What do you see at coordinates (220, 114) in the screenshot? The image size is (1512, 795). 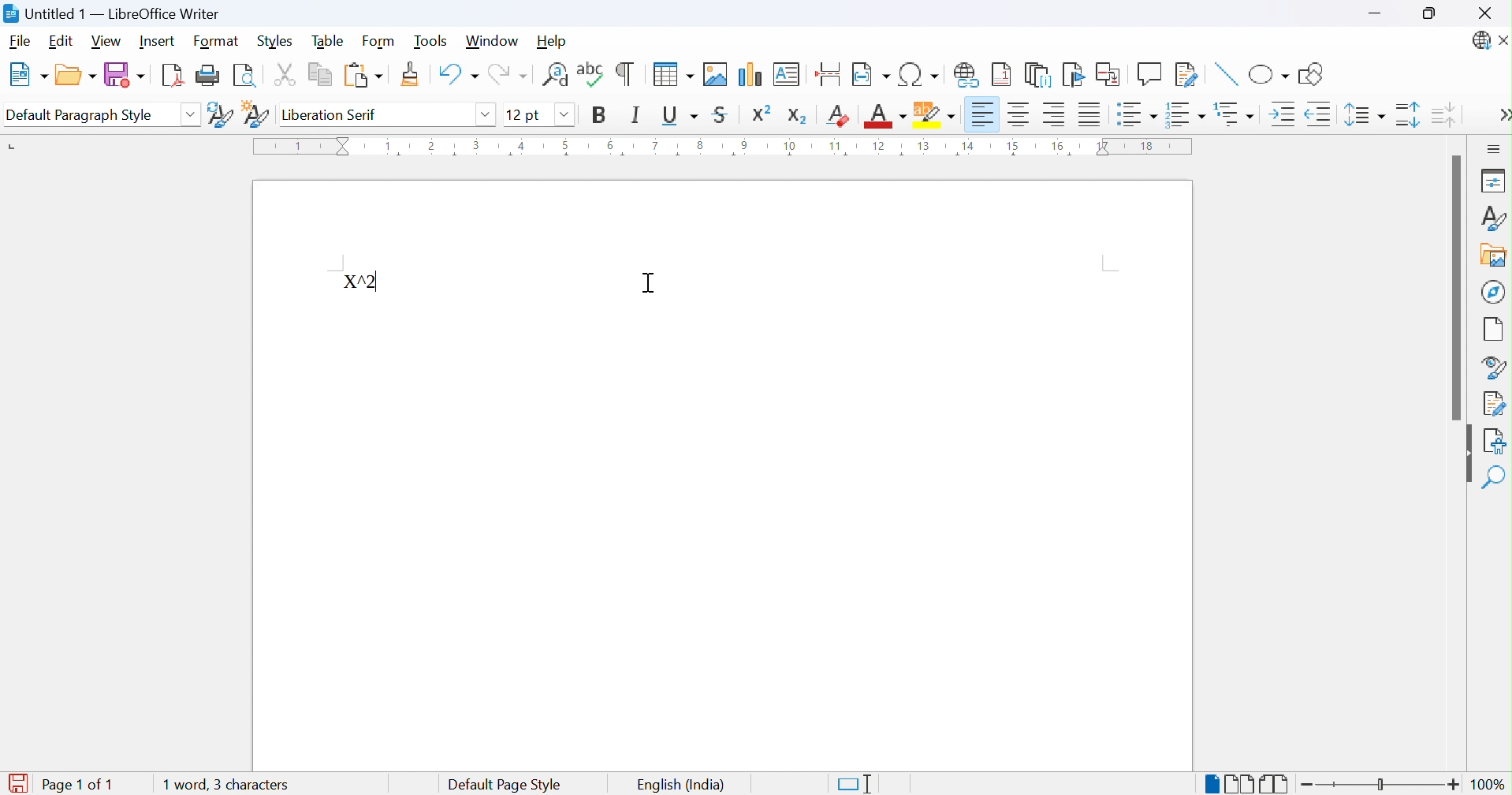 I see `Update selected style` at bounding box center [220, 114].